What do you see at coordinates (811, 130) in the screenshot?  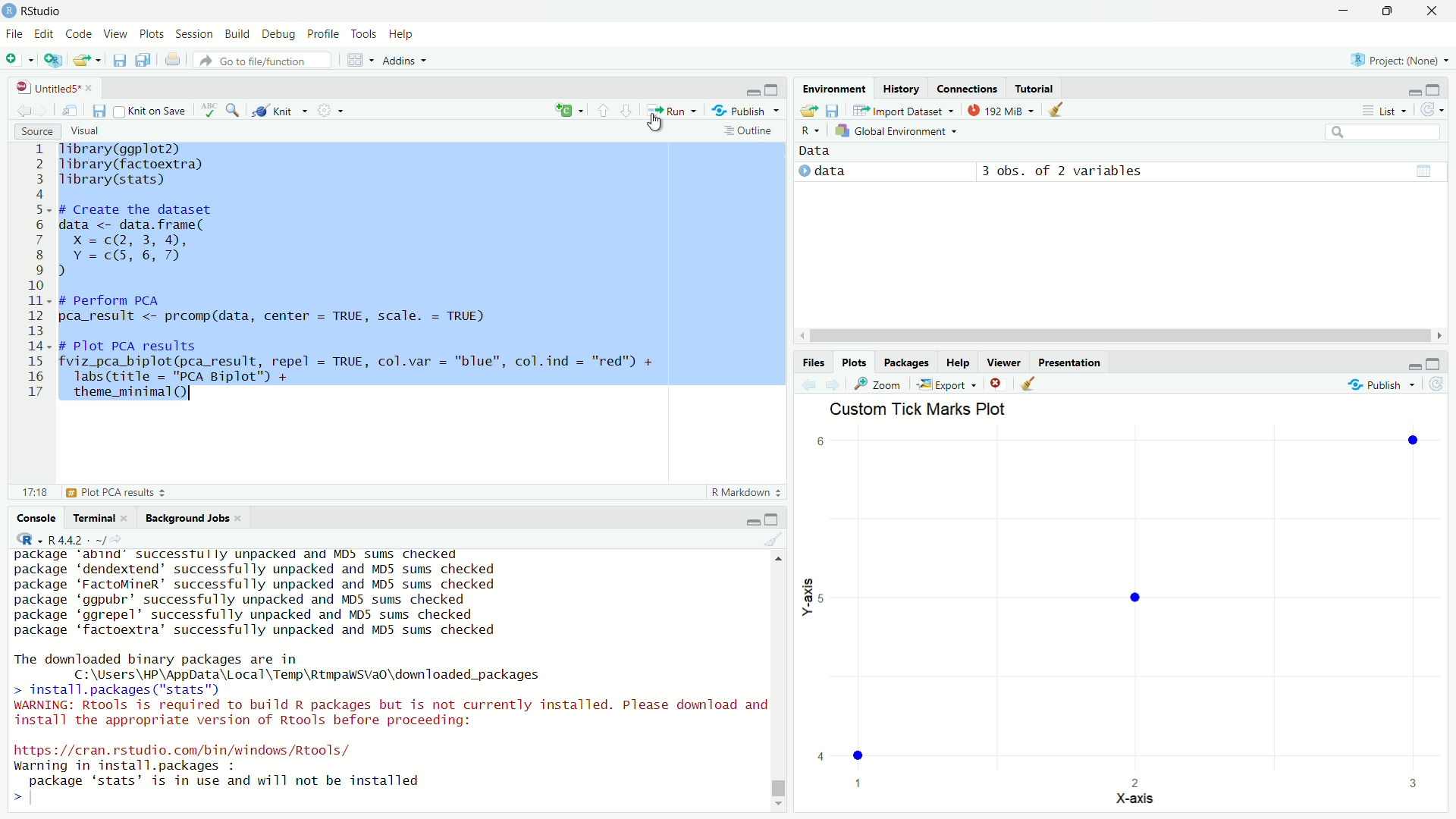 I see `R language` at bounding box center [811, 130].